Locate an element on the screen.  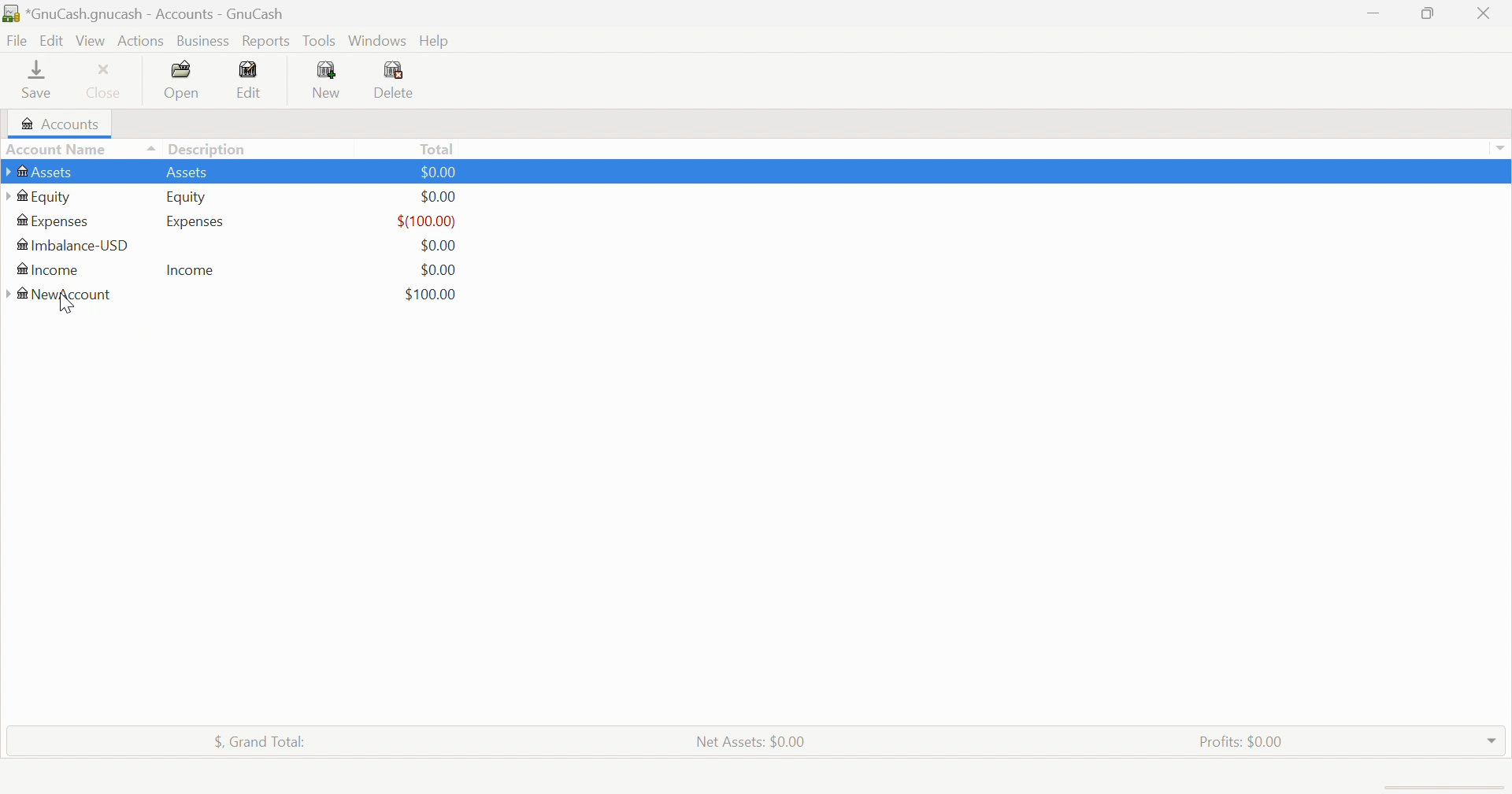
Actions is located at coordinates (143, 43).